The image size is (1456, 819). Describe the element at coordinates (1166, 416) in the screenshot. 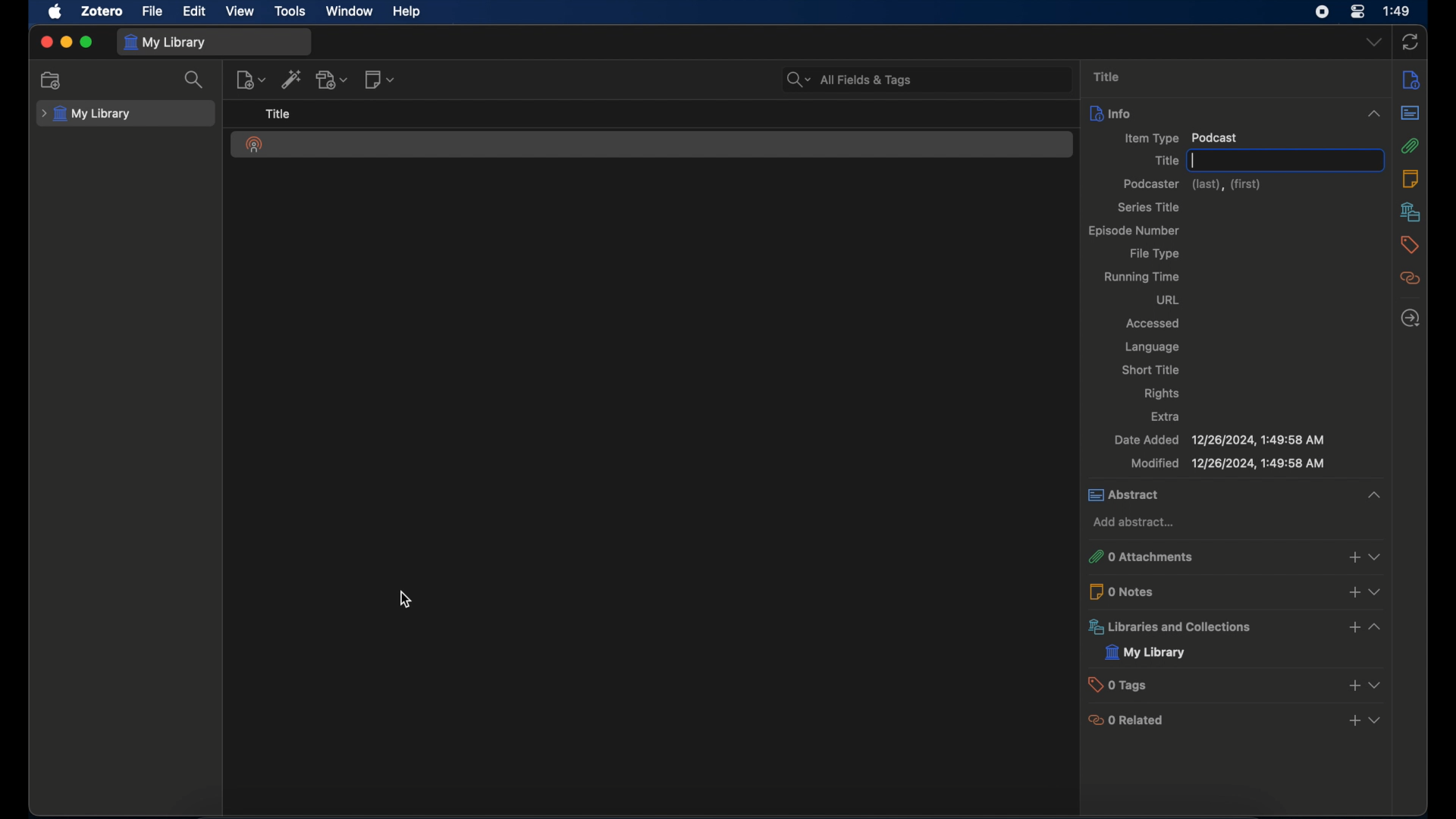

I see `extra` at that location.